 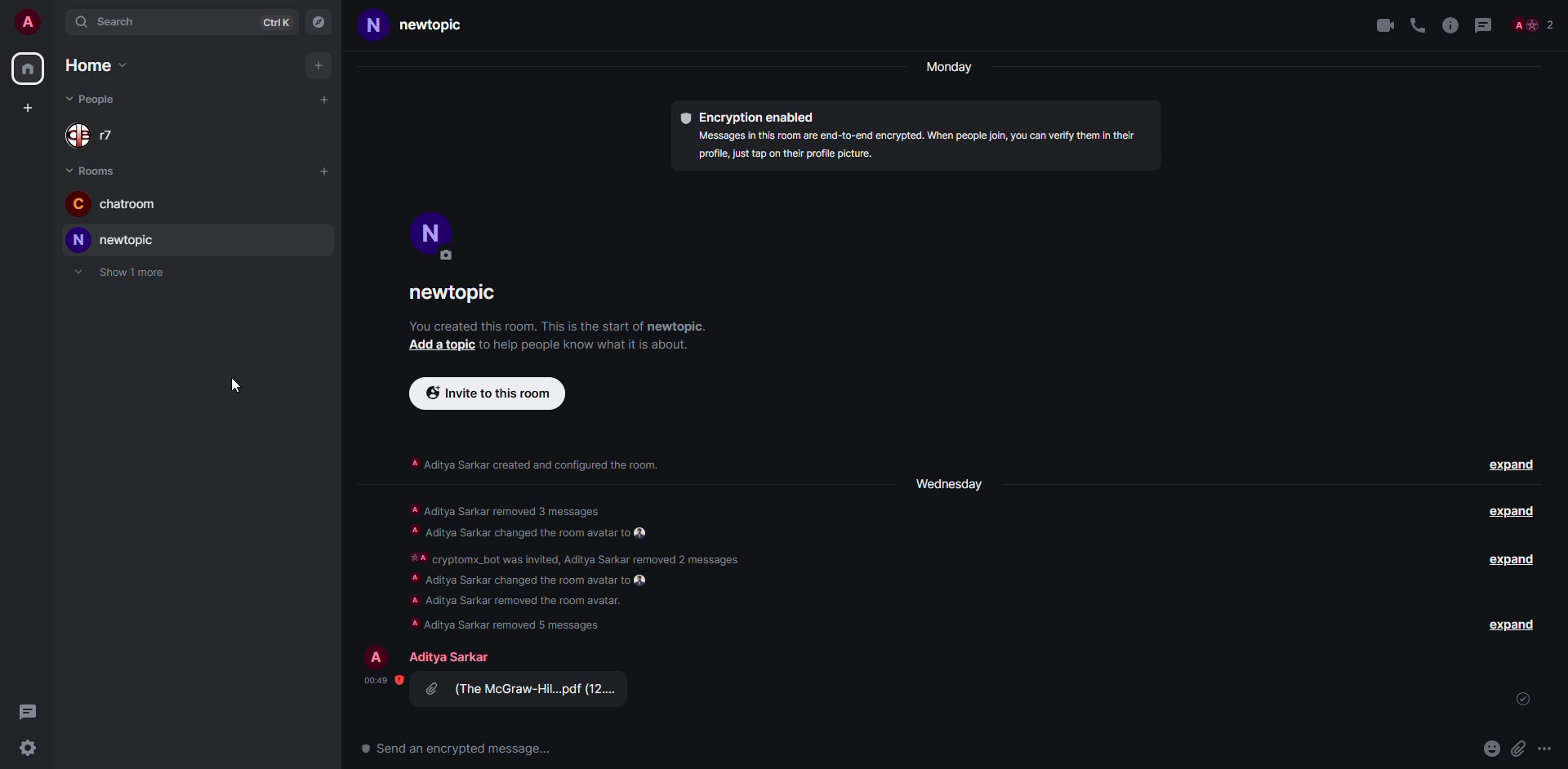 What do you see at coordinates (1531, 26) in the screenshot?
I see `people` at bounding box center [1531, 26].